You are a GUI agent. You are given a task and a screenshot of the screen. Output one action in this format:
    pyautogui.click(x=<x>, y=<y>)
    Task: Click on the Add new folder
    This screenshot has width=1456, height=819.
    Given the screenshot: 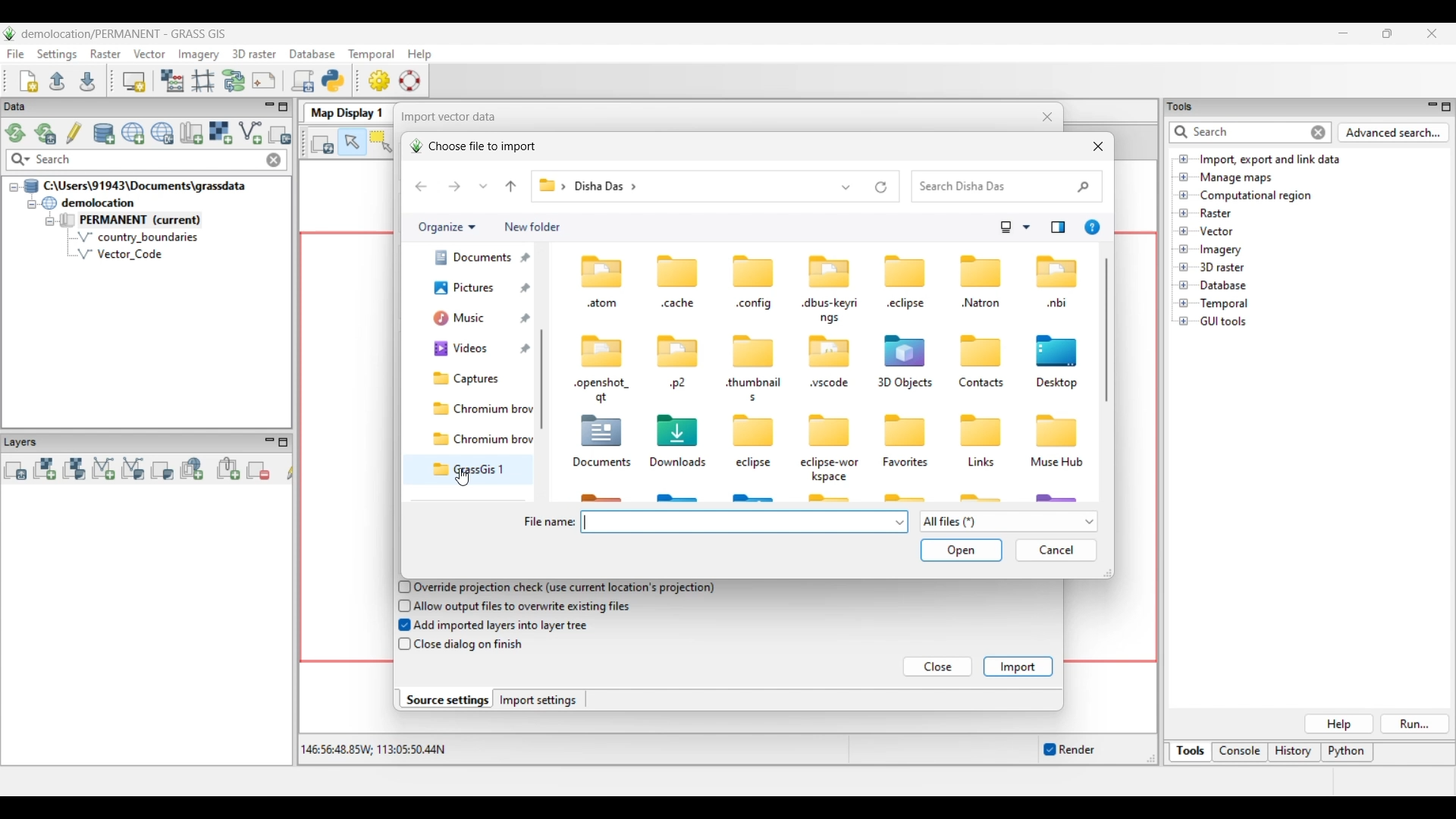 What is the action you would take?
    pyautogui.click(x=532, y=227)
    